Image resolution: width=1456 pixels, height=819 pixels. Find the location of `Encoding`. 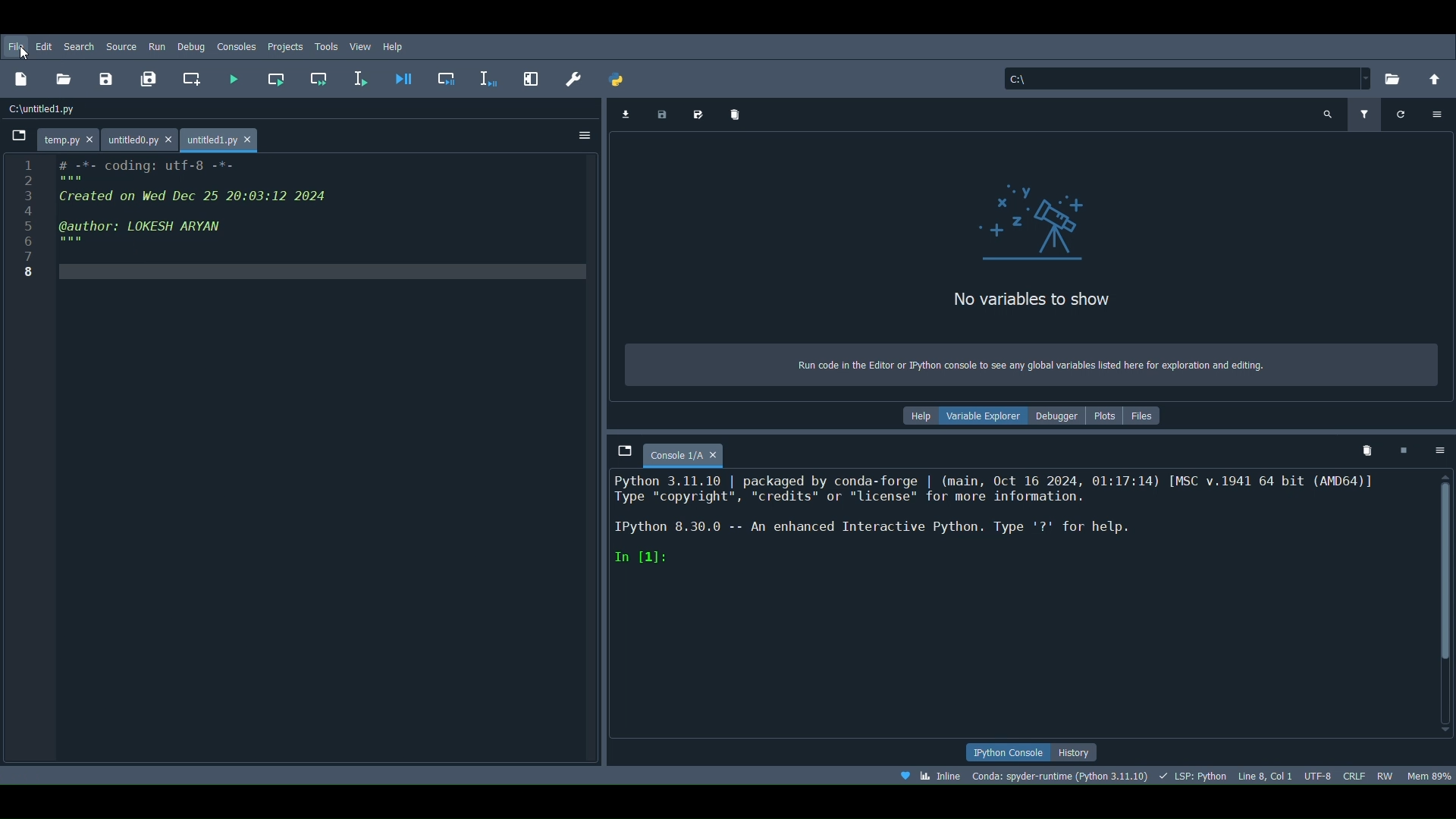

Encoding is located at coordinates (1319, 772).